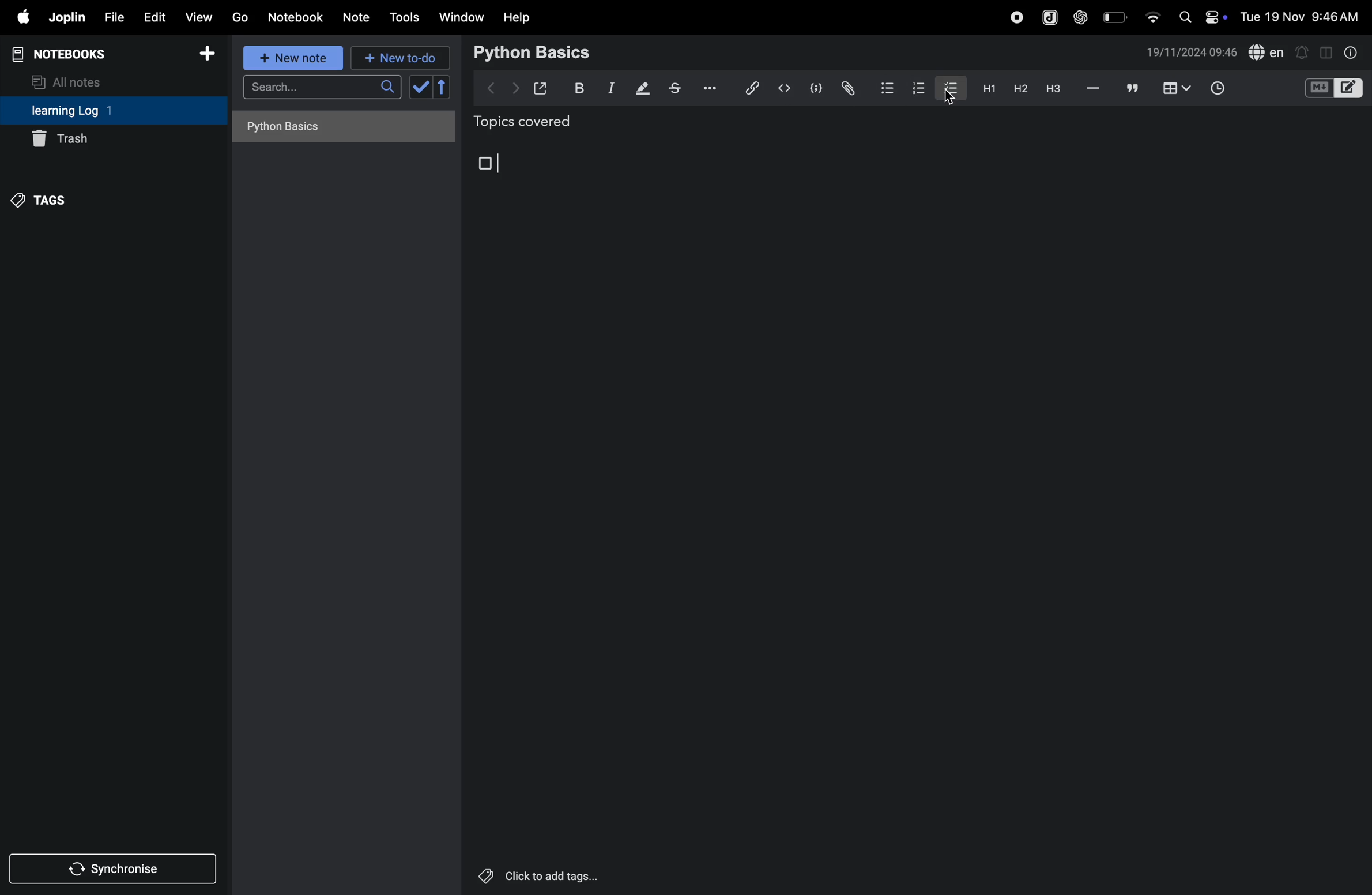  I want to click on learning log, so click(88, 111).